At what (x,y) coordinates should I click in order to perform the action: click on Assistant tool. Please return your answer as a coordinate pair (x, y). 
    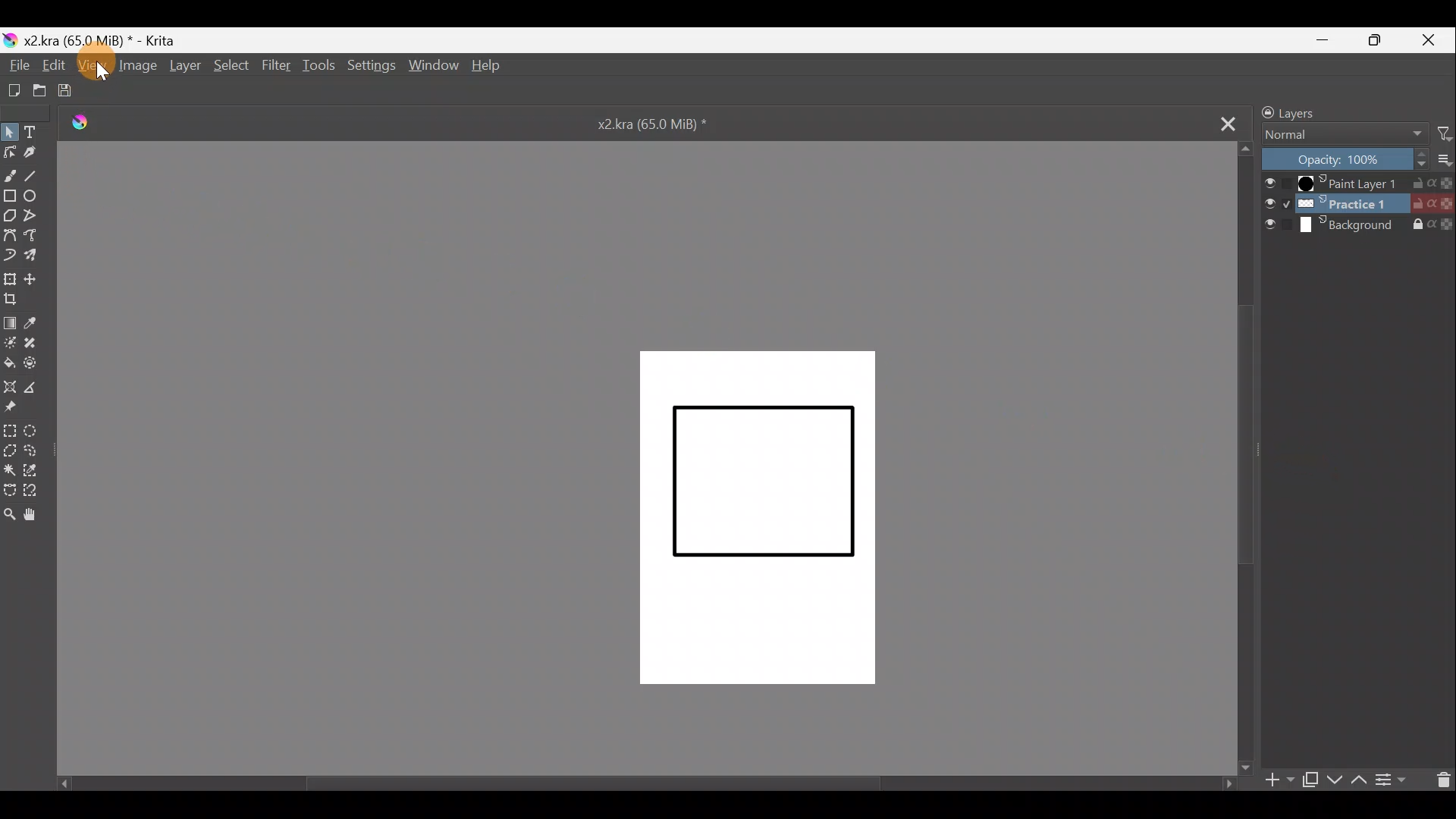
    Looking at the image, I should click on (10, 387).